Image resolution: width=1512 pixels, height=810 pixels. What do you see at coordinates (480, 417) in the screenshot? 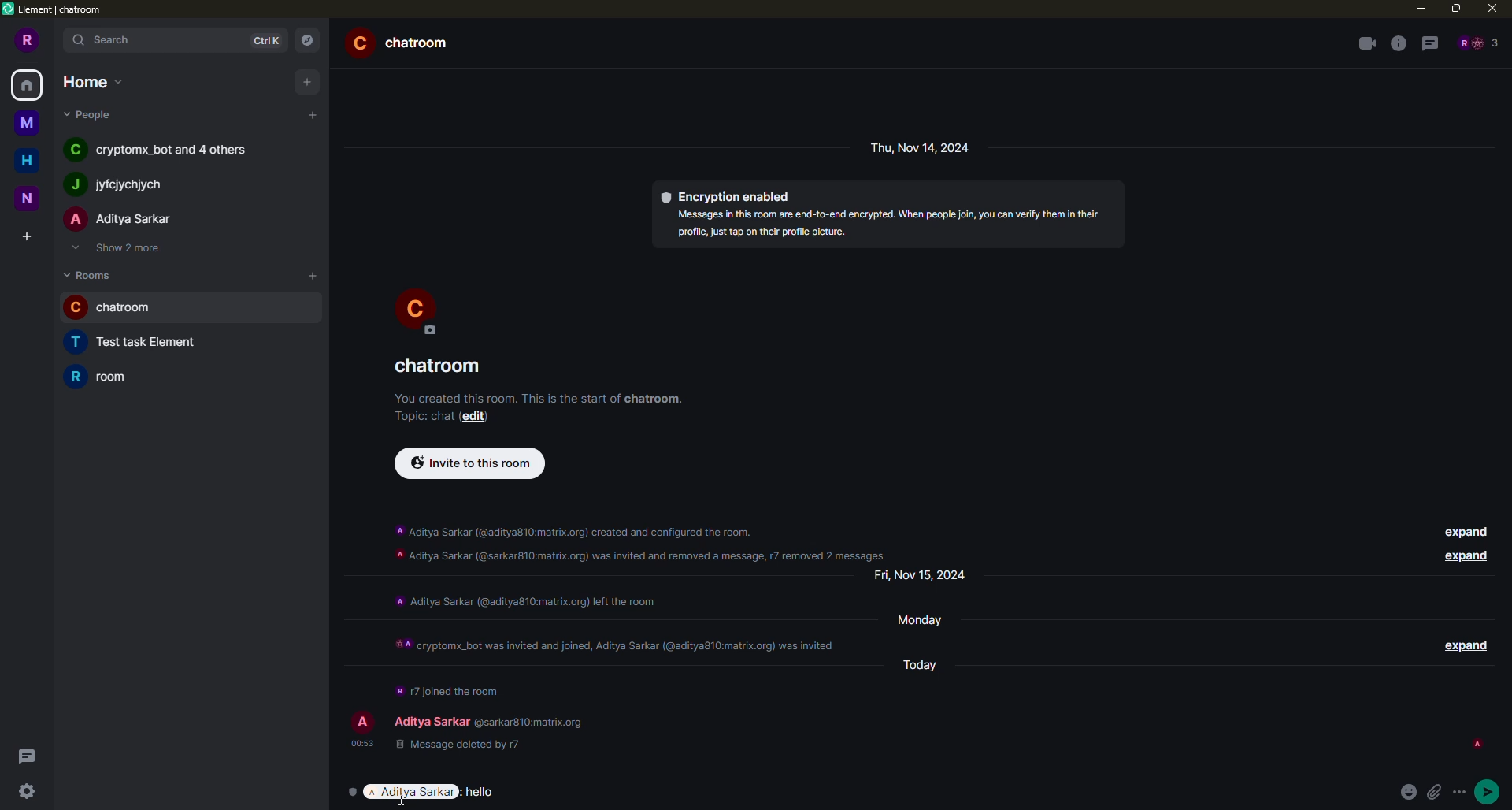
I see `edit` at bounding box center [480, 417].